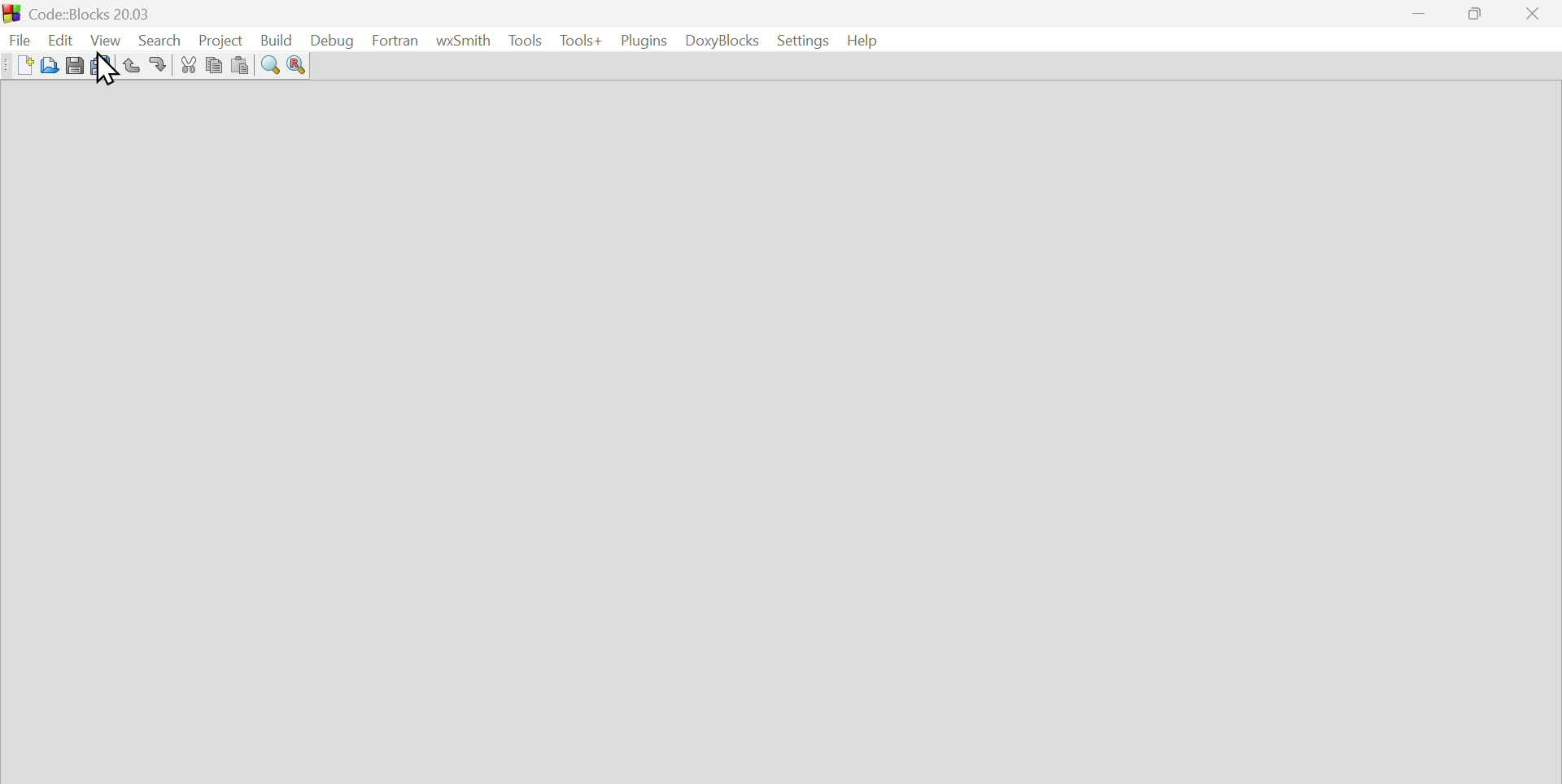  Describe the element at coordinates (13, 12) in the screenshot. I see `Icon` at that location.